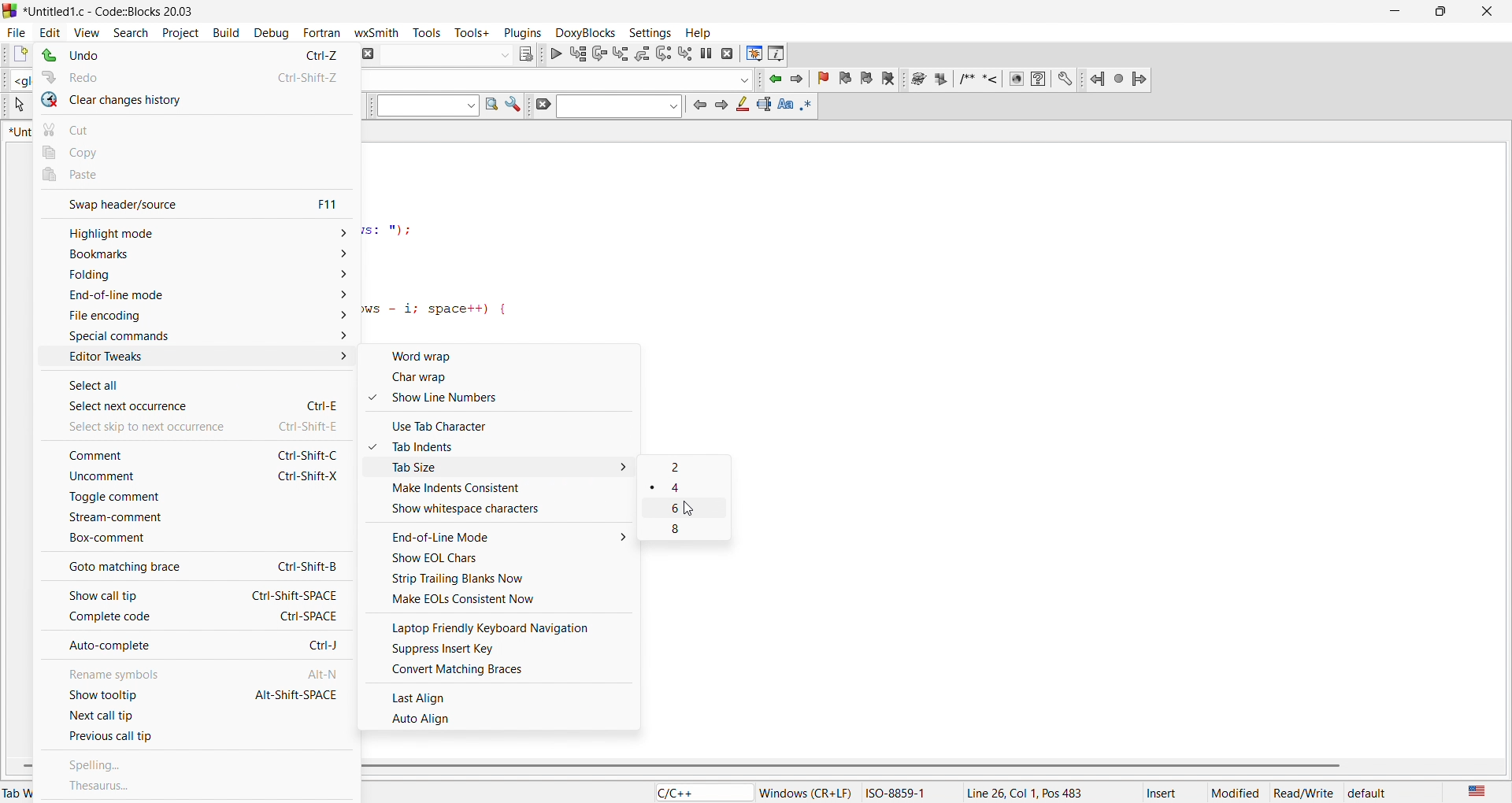 This screenshot has width=1512, height=803. I want to click on select next occurence, so click(145, 409).